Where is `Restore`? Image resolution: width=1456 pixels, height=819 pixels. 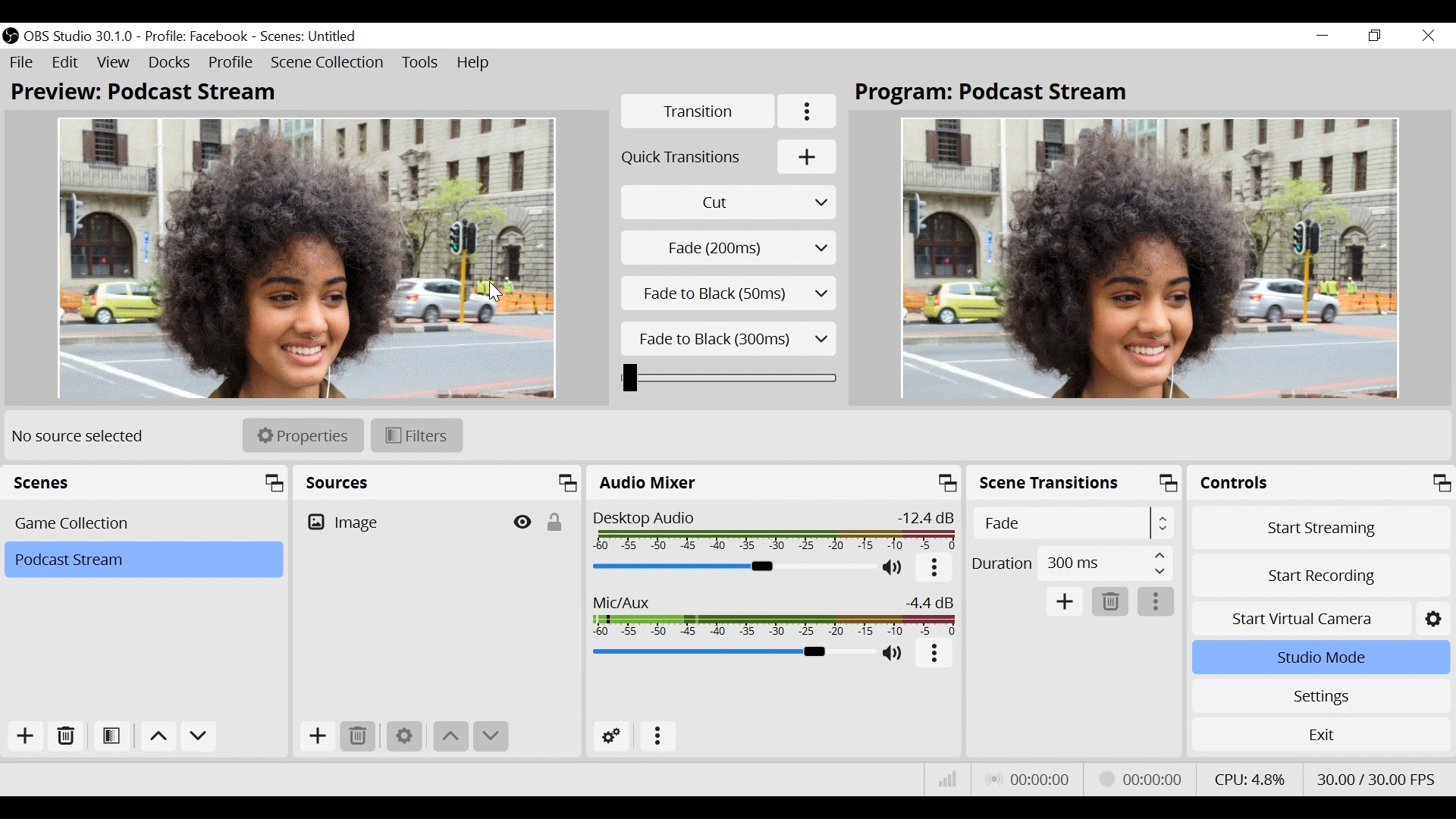 Restore is located at coordinates (1373, 36).